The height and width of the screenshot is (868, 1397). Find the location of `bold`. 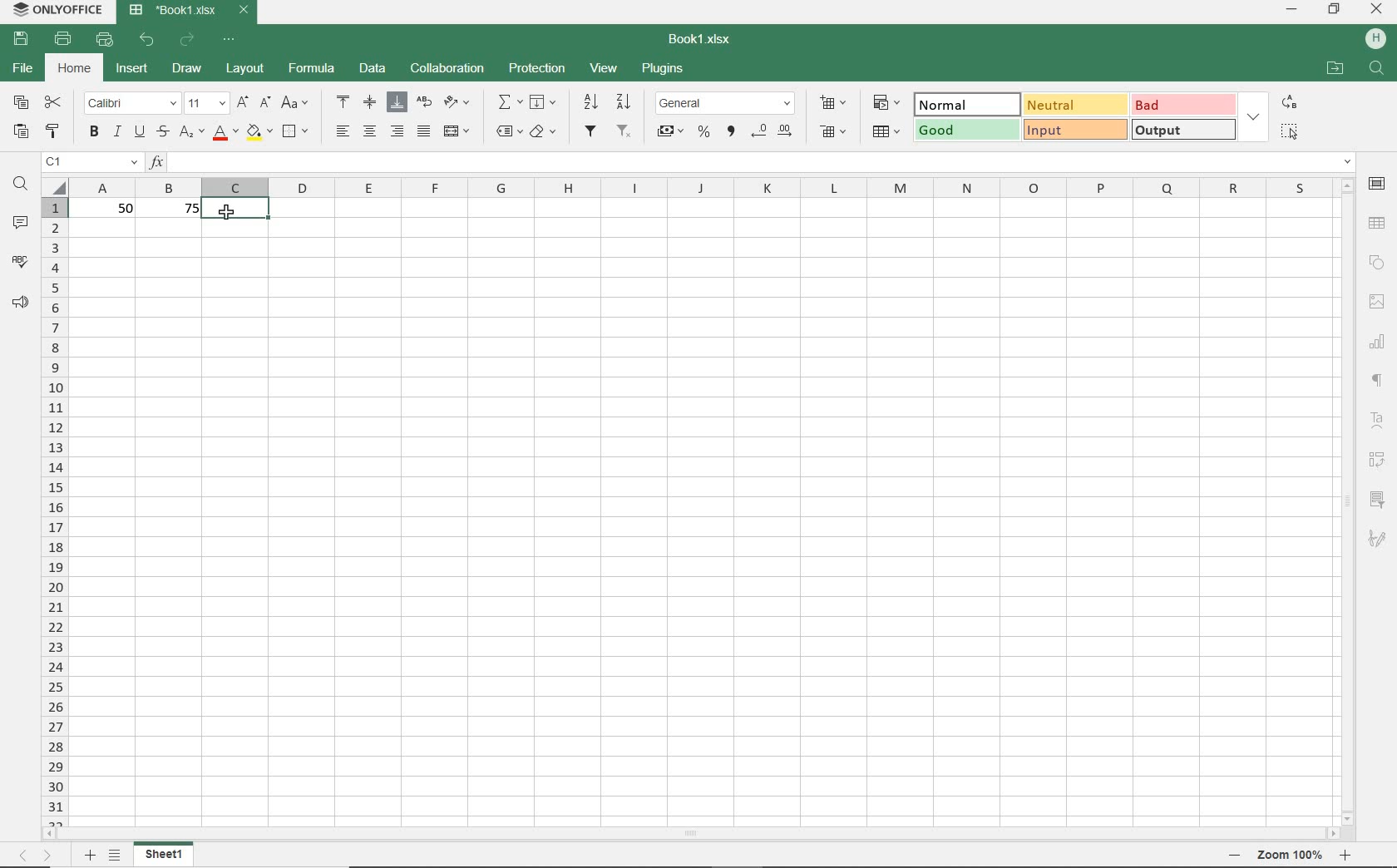

bold is located at coordinates (93, 133).